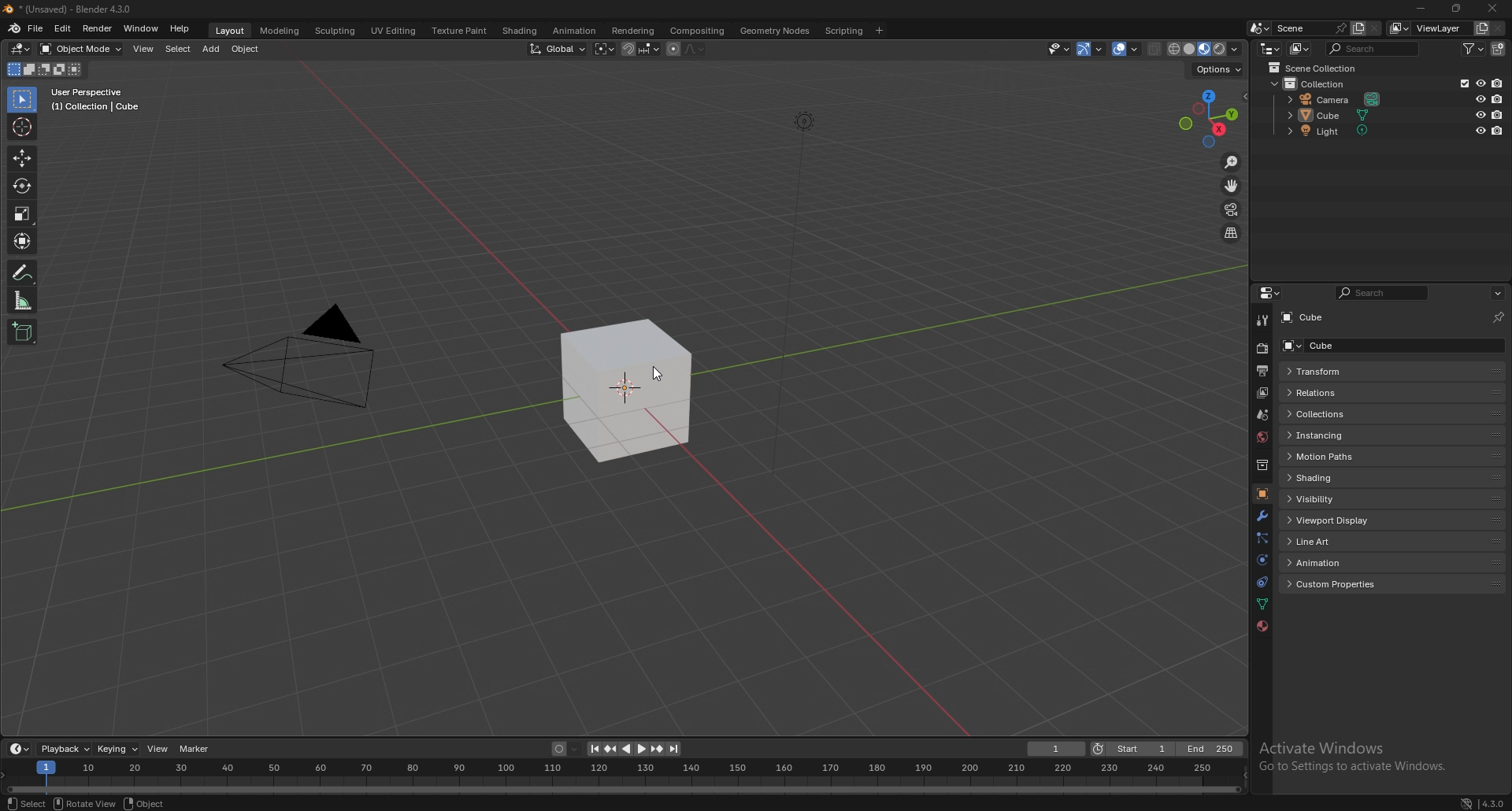 The height and width of the screenshot is (811, 1512). I want to click on view, so click(158, 749).